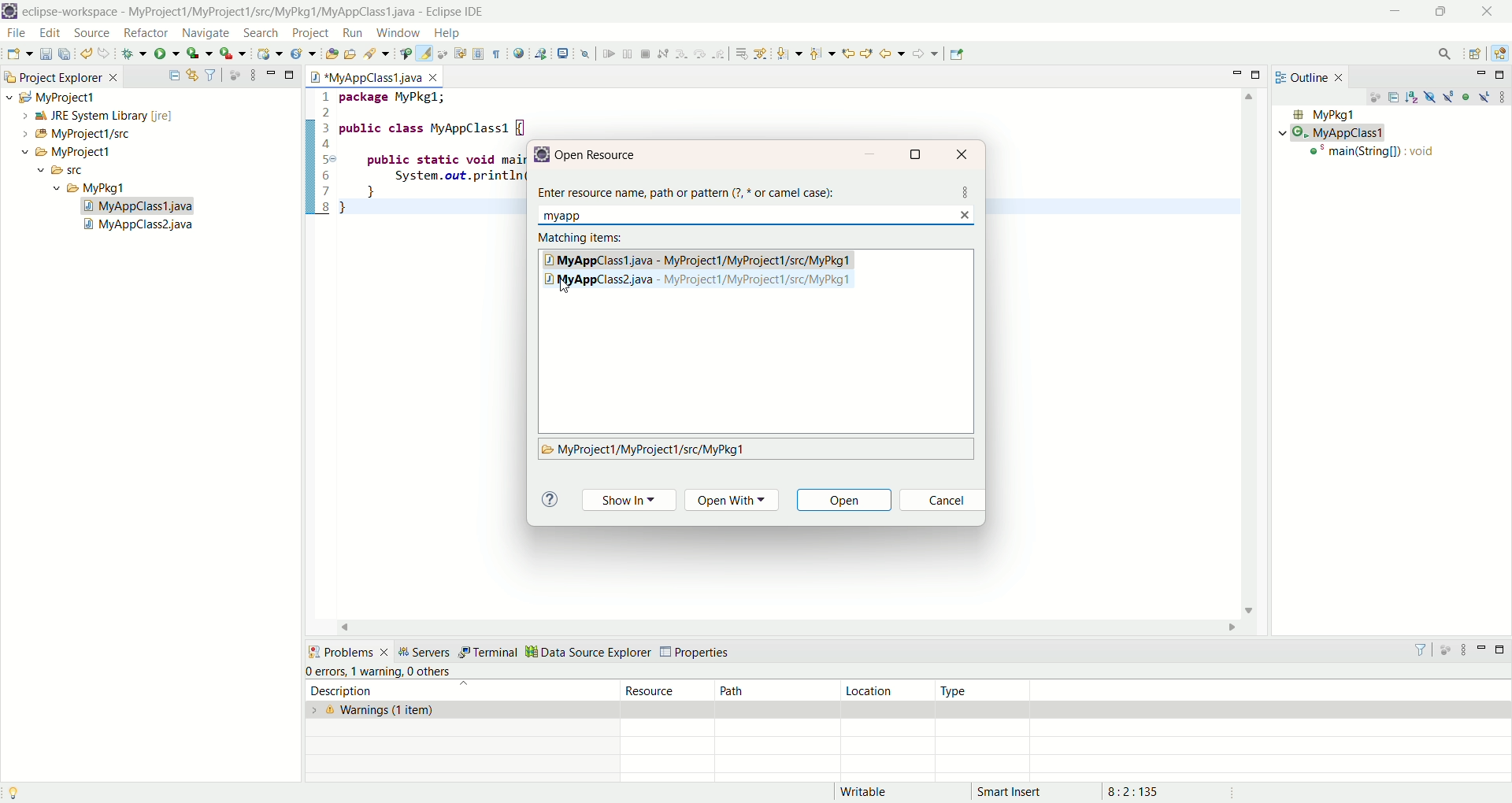 This screenshot has width=1512, height=803. What do you see at coordinates (847, 502) in the screenshot?
I see `open` at bounding box center [847, 502].